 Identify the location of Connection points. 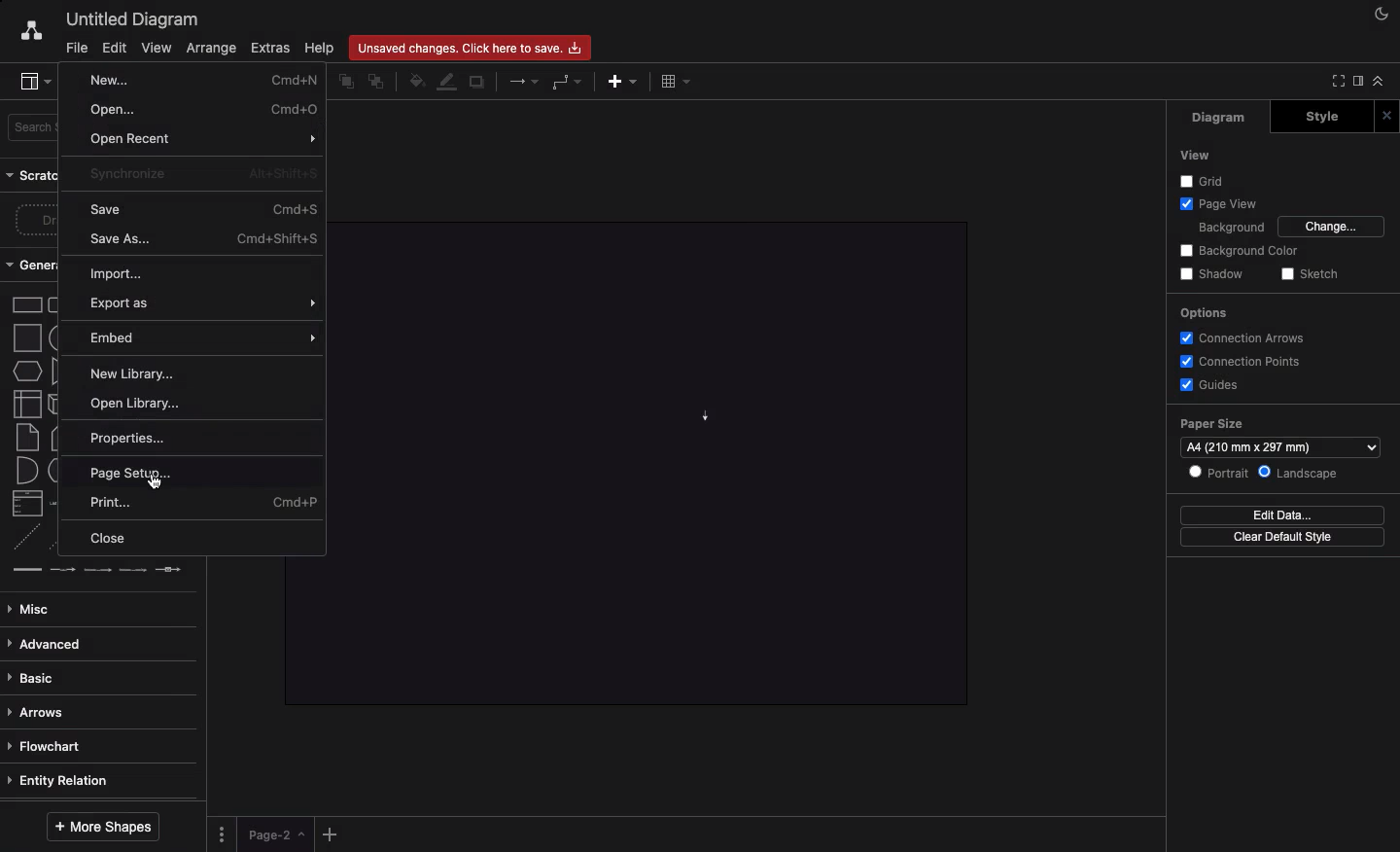
(1239, 361).